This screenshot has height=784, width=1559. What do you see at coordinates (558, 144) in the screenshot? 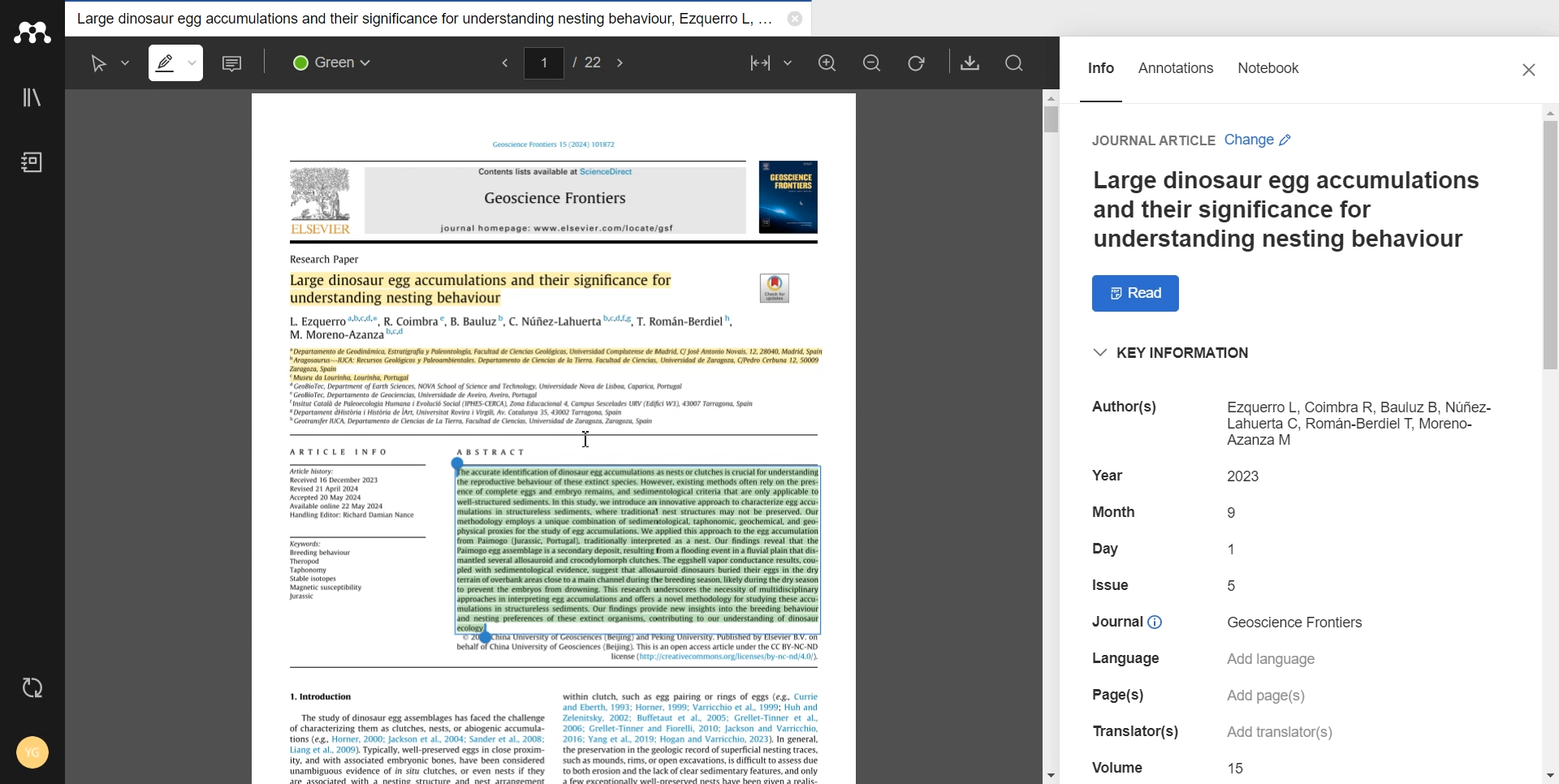
I see `header` at bounding box center [558, 144].